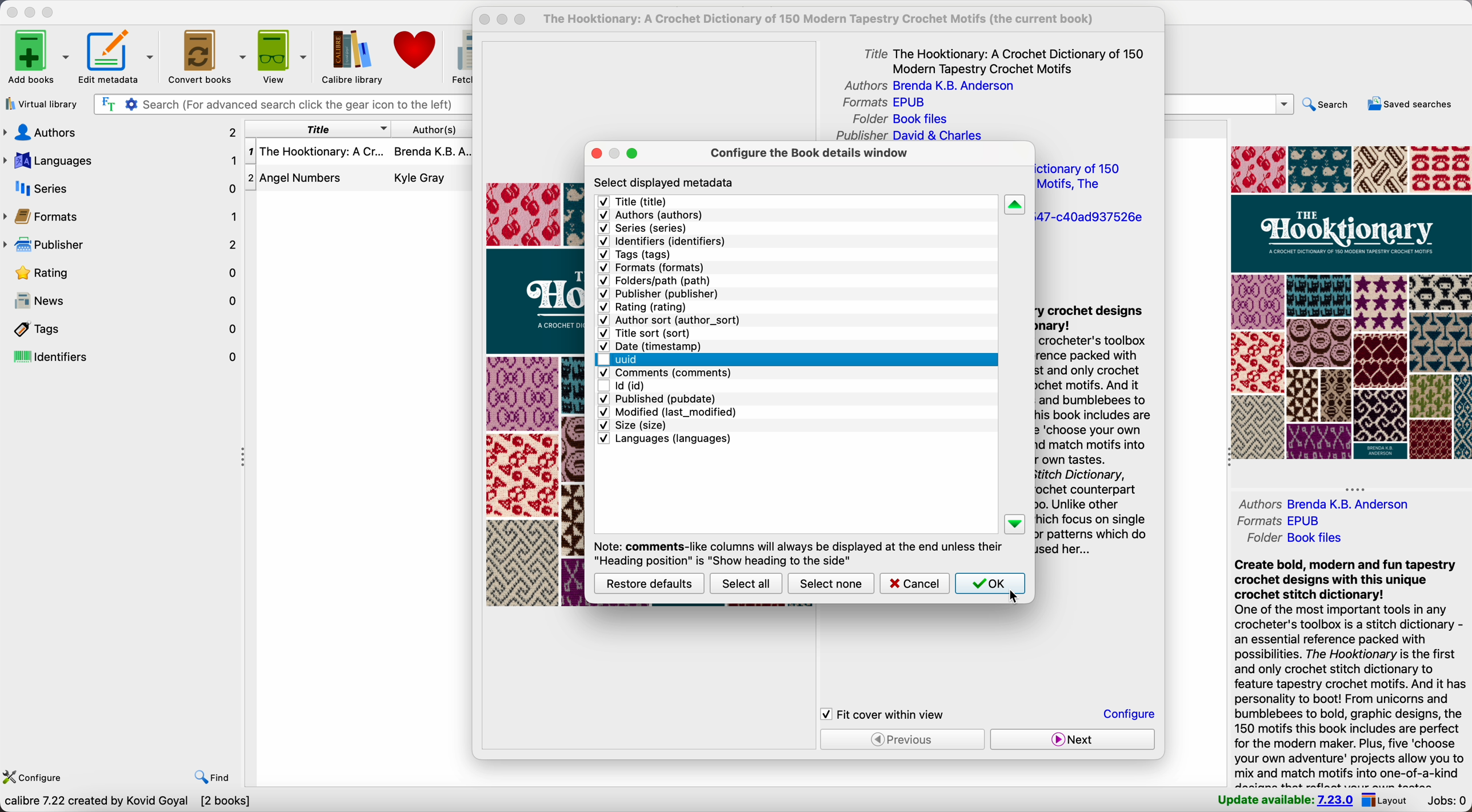 The image size is (1472, 812). Describe the element at coordinates (122, 247) in the screenshot. I see `publisher` at that location.